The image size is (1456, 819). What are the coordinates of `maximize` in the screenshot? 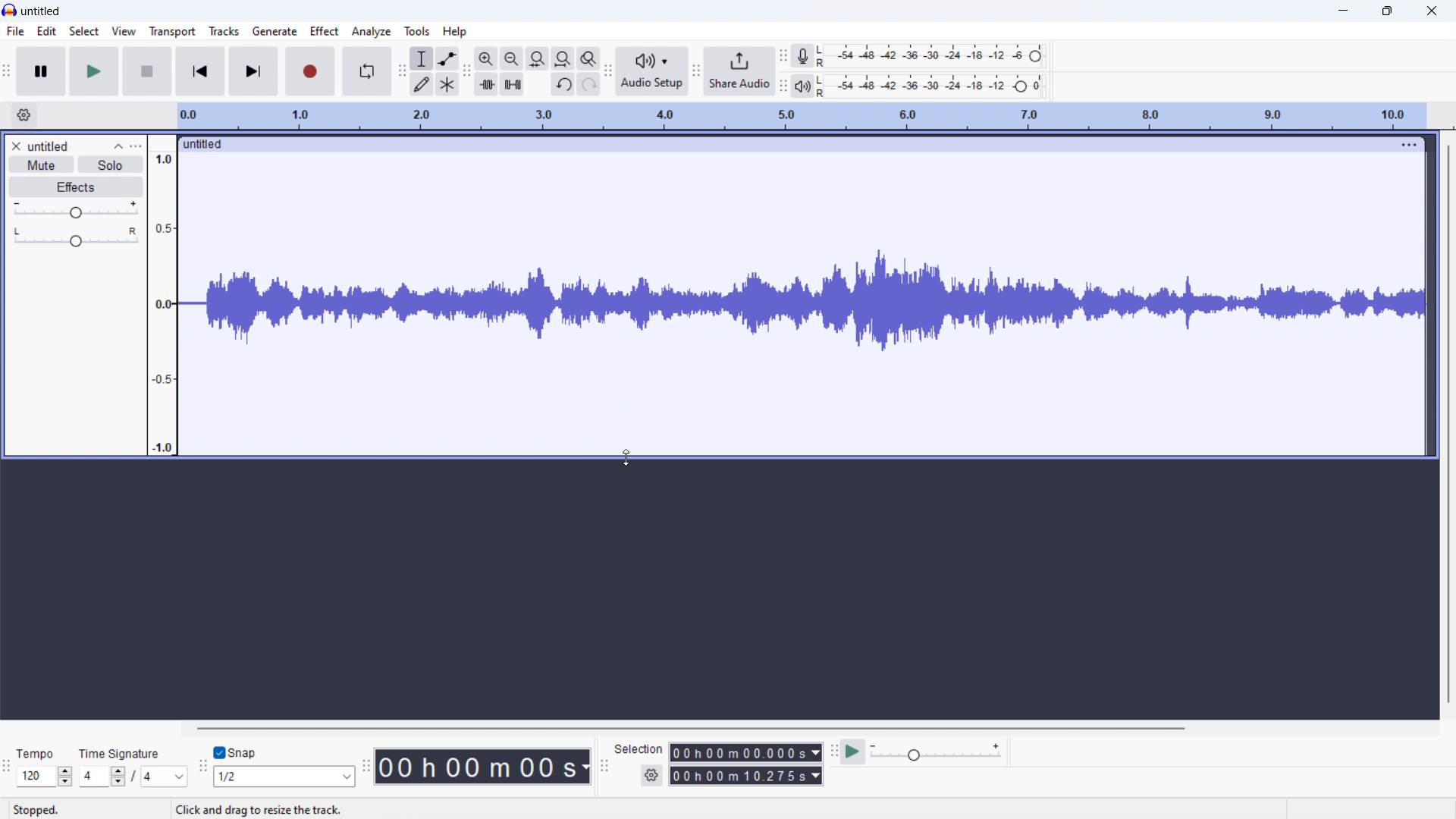 It's located at (1385, 11).